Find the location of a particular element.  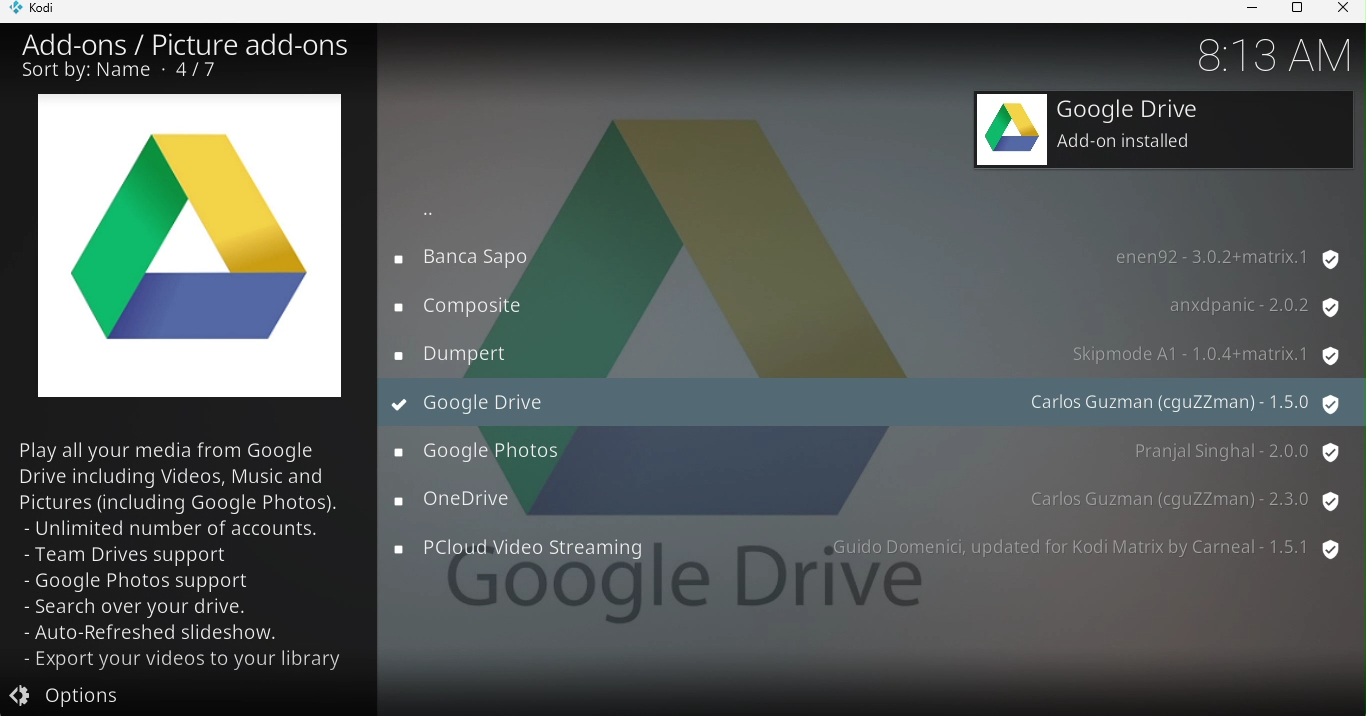

Minimize is located at coordinates (1246, 11).